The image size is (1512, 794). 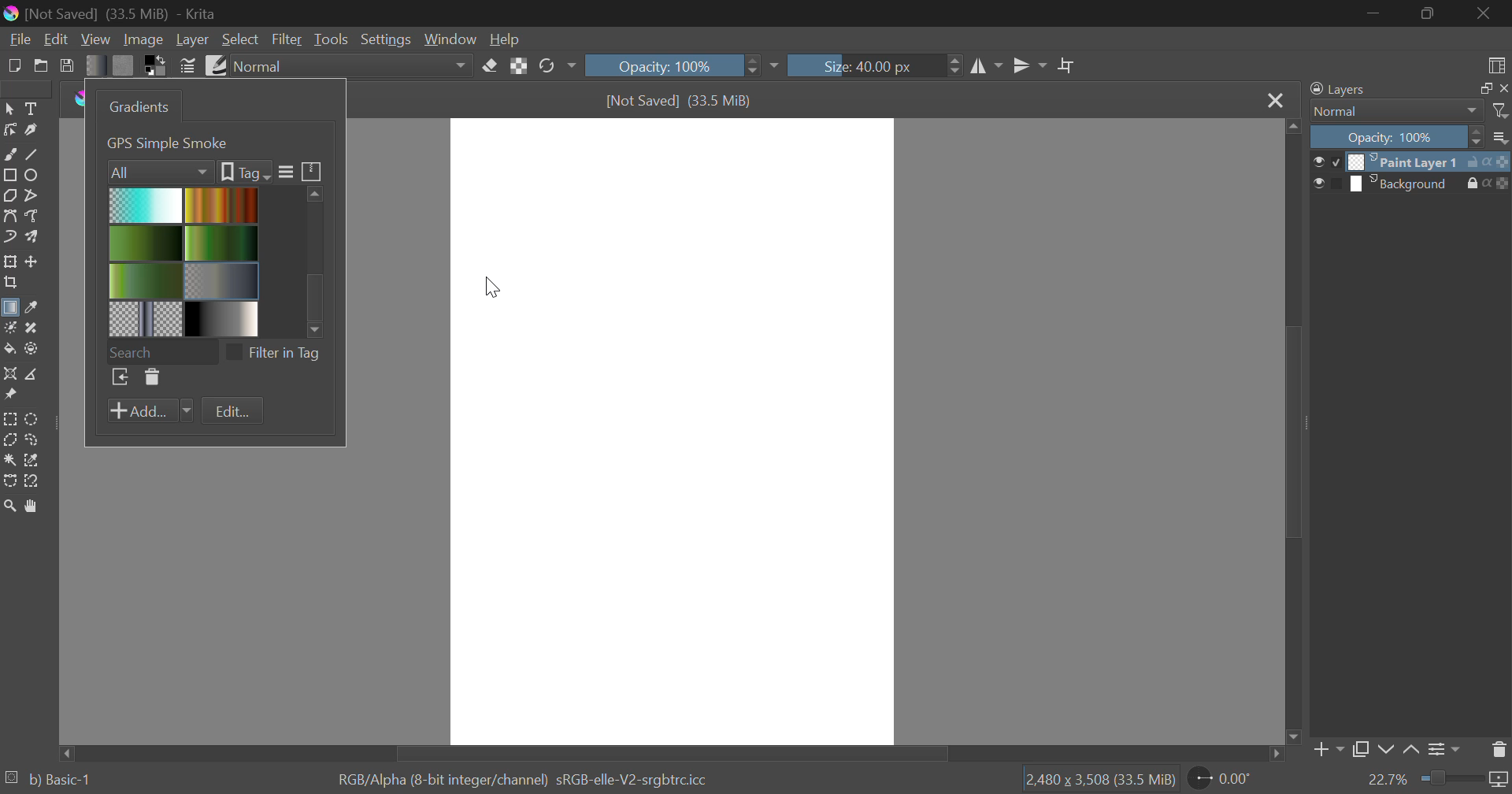 I want to click on Pattern, so click(x=124, y=65).